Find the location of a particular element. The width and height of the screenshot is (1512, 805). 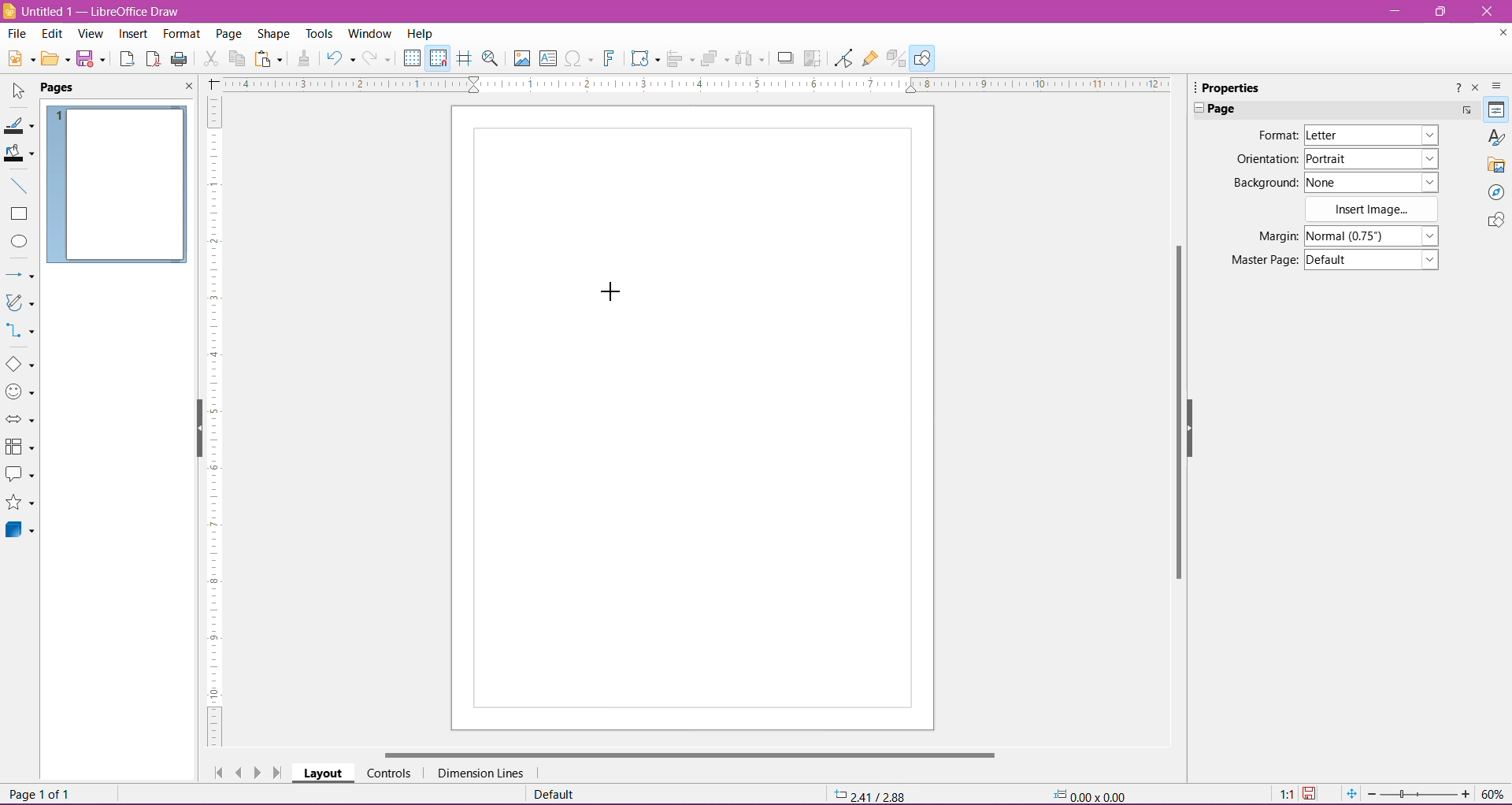

Ruler is located at coordinates (213, 423).